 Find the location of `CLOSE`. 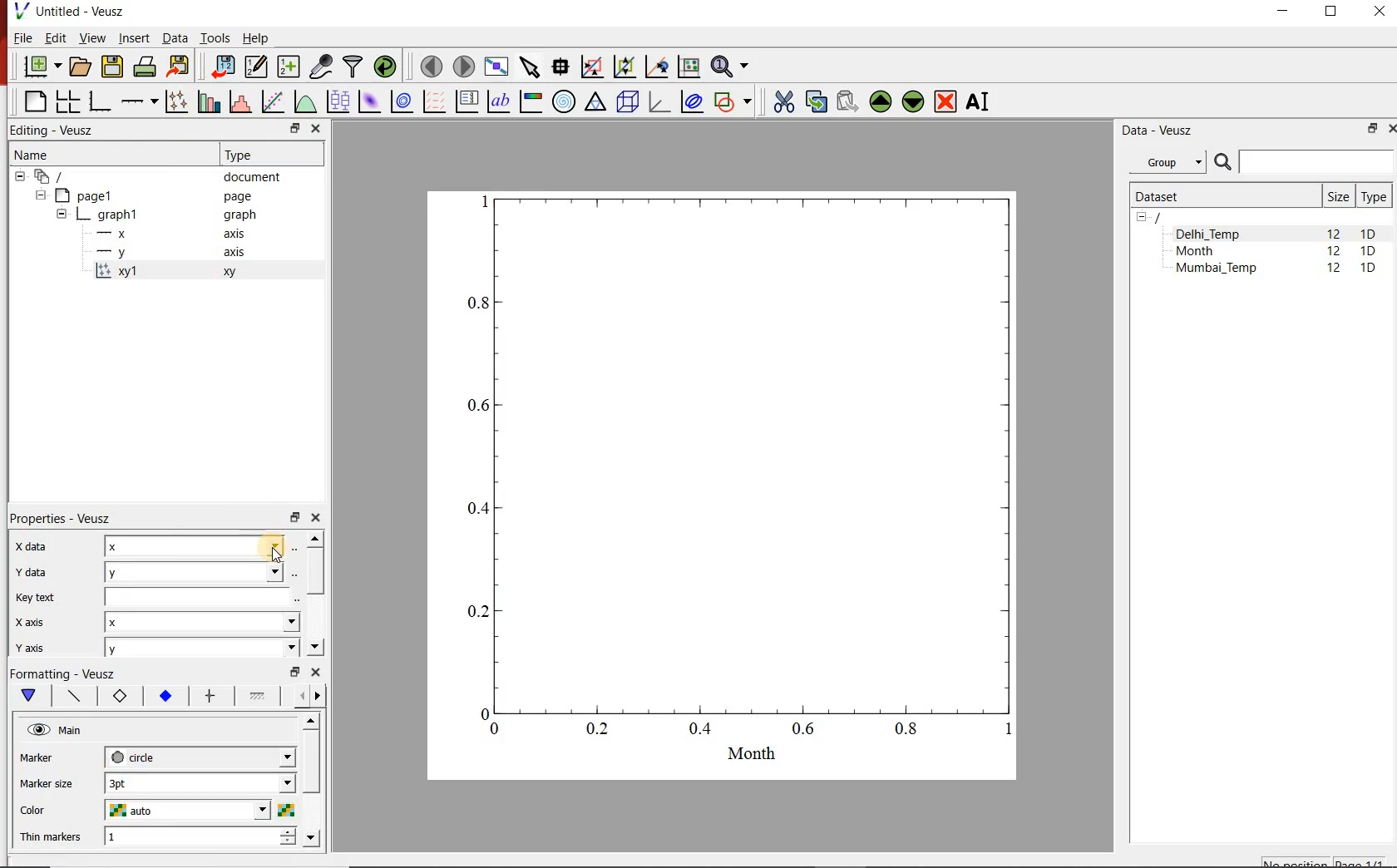

CLOSE is located at coordinates (1390, 129).